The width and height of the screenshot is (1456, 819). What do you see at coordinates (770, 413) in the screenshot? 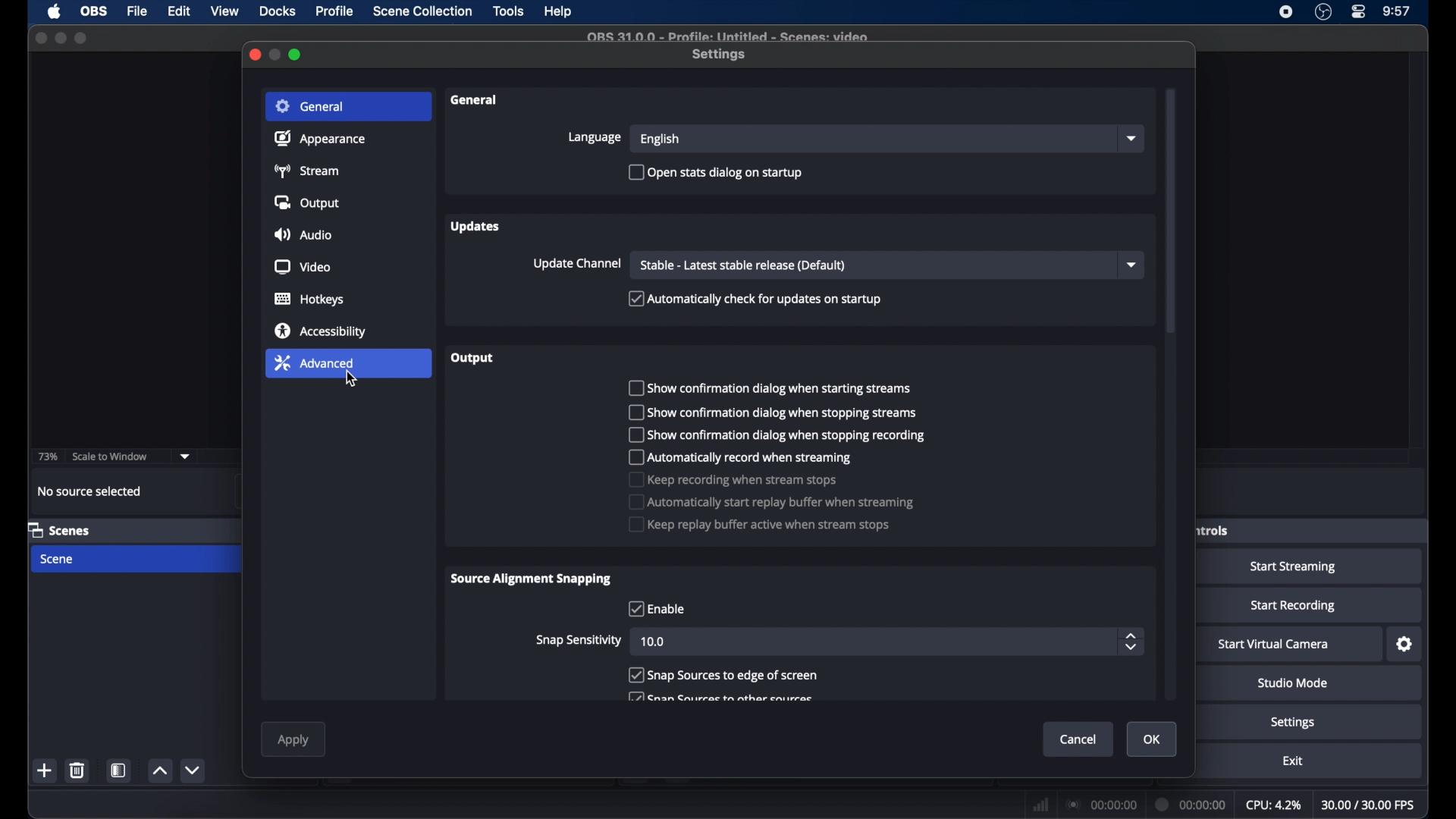
I see `checkbox ` at bounding box center [770, 413].